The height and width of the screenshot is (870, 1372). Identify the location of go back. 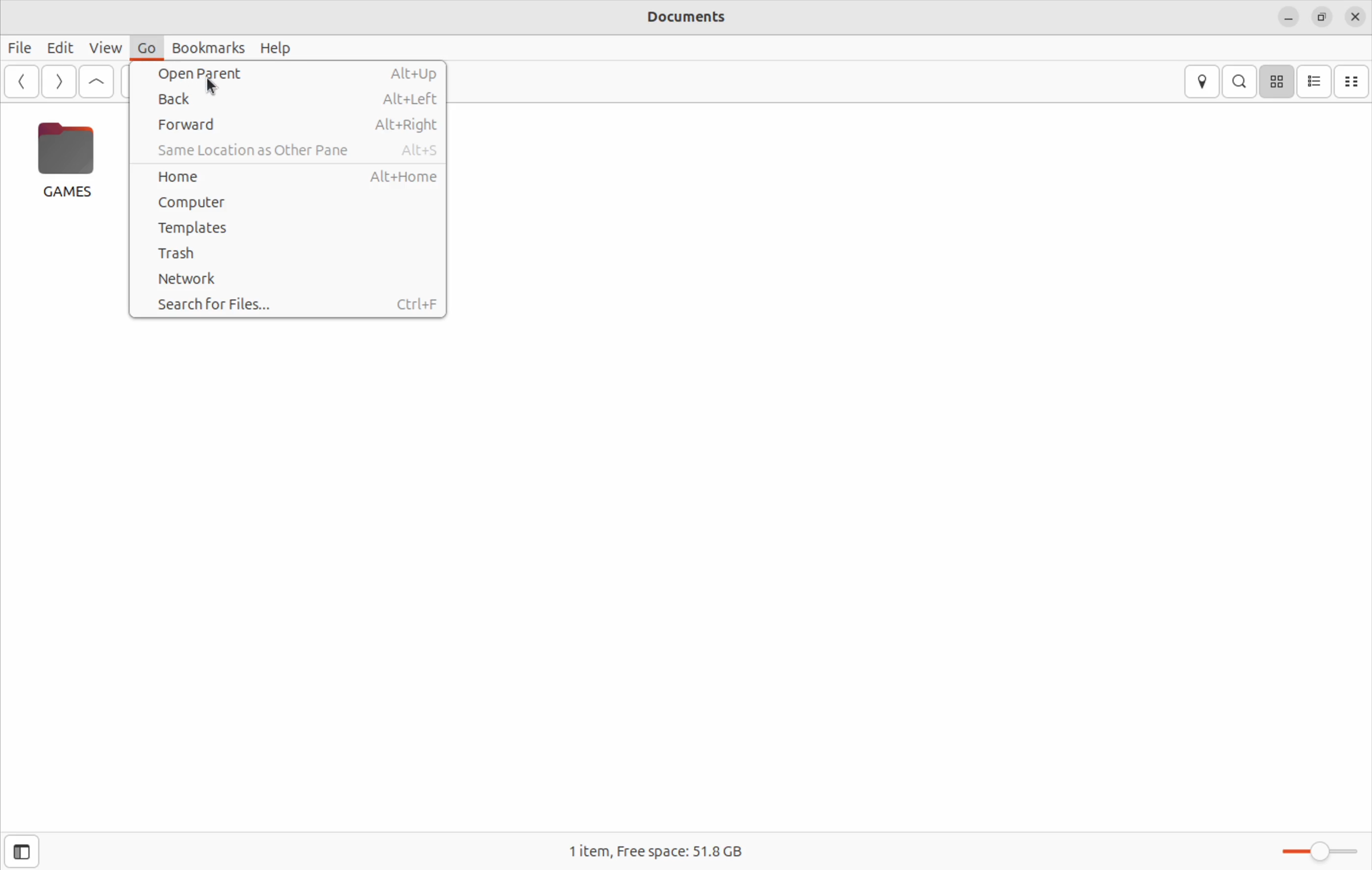
(23, 81).